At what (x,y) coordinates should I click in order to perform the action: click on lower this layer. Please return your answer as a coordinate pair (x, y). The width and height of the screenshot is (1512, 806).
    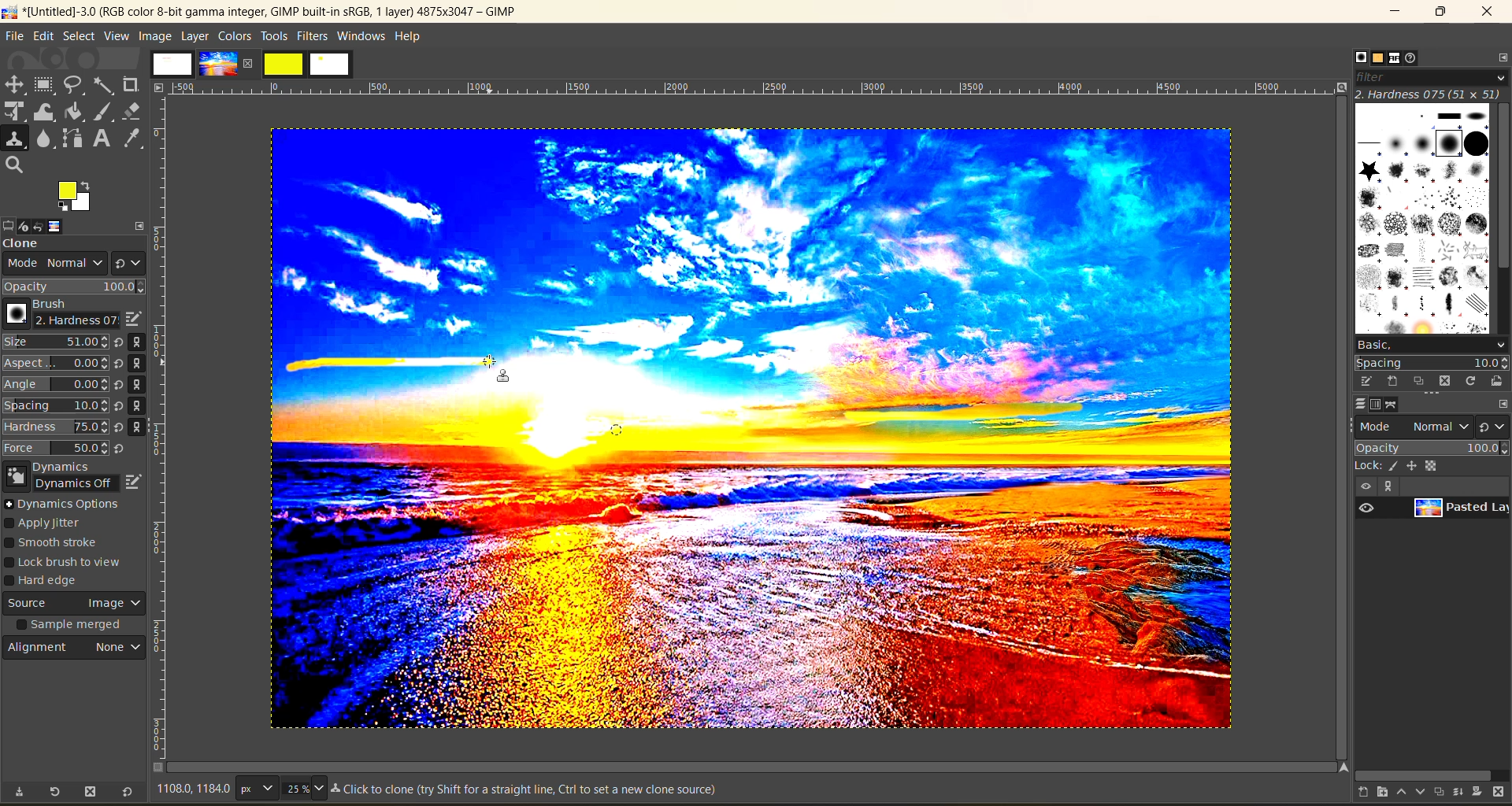
    Looking at the image, I should click on (1416, 793).